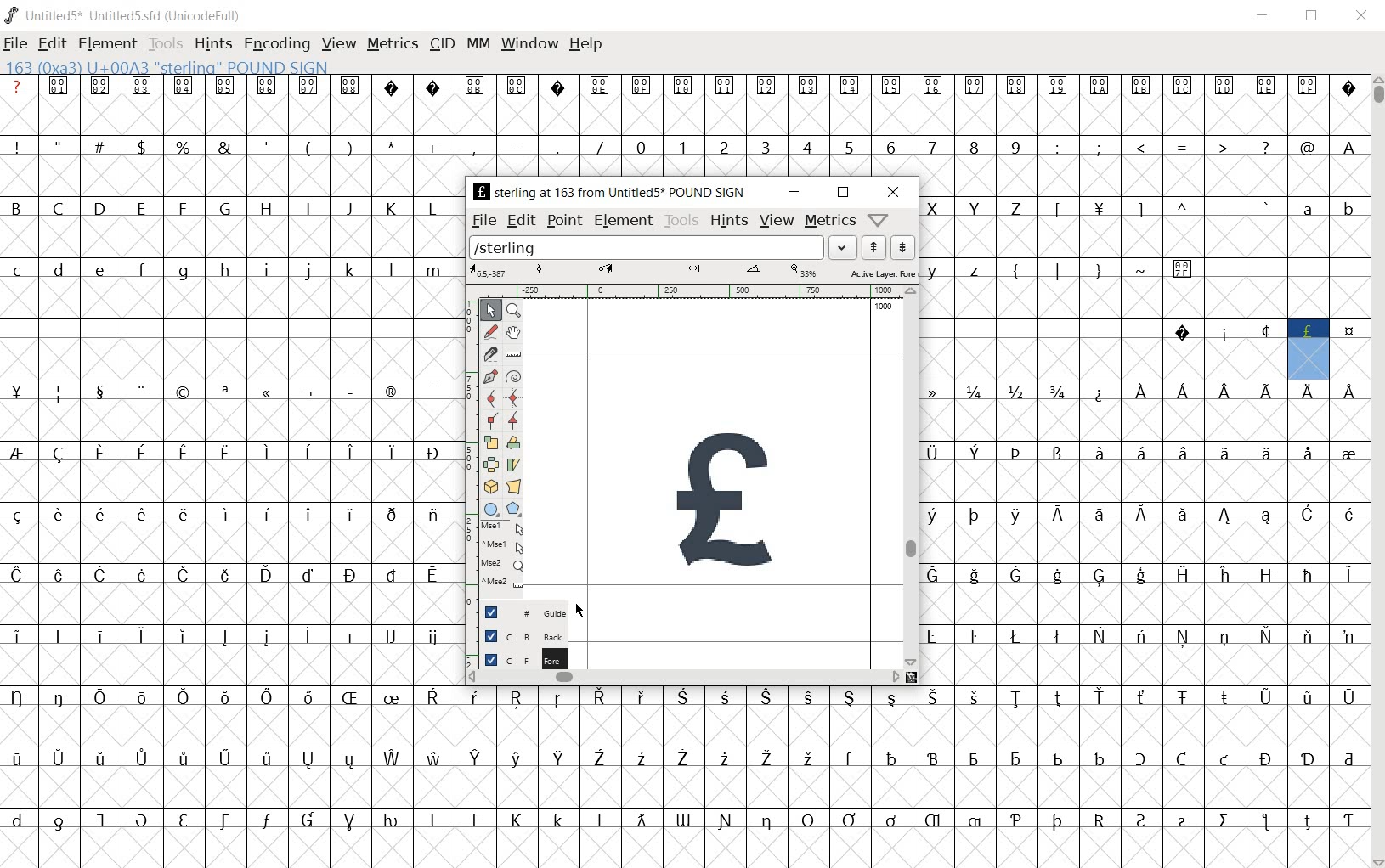 Image resolution: width=1385 pixels, height=868 pixels. What do you see at coordinates (1269, 87) in the screenshot?
I see `Symbol` at bounding box center [1269, 87].